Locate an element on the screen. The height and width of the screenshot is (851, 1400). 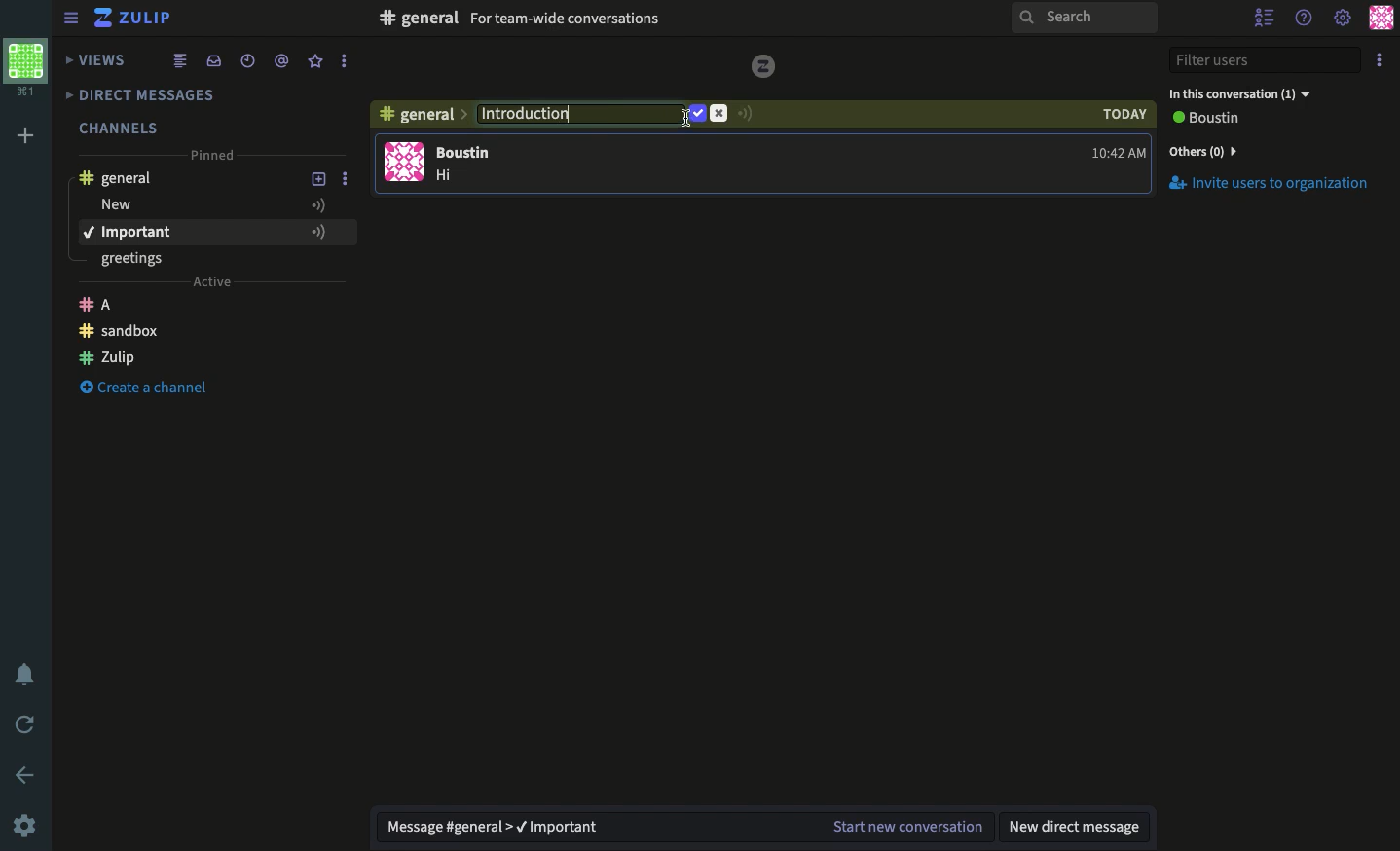
user is located at coordinates (471, 152).